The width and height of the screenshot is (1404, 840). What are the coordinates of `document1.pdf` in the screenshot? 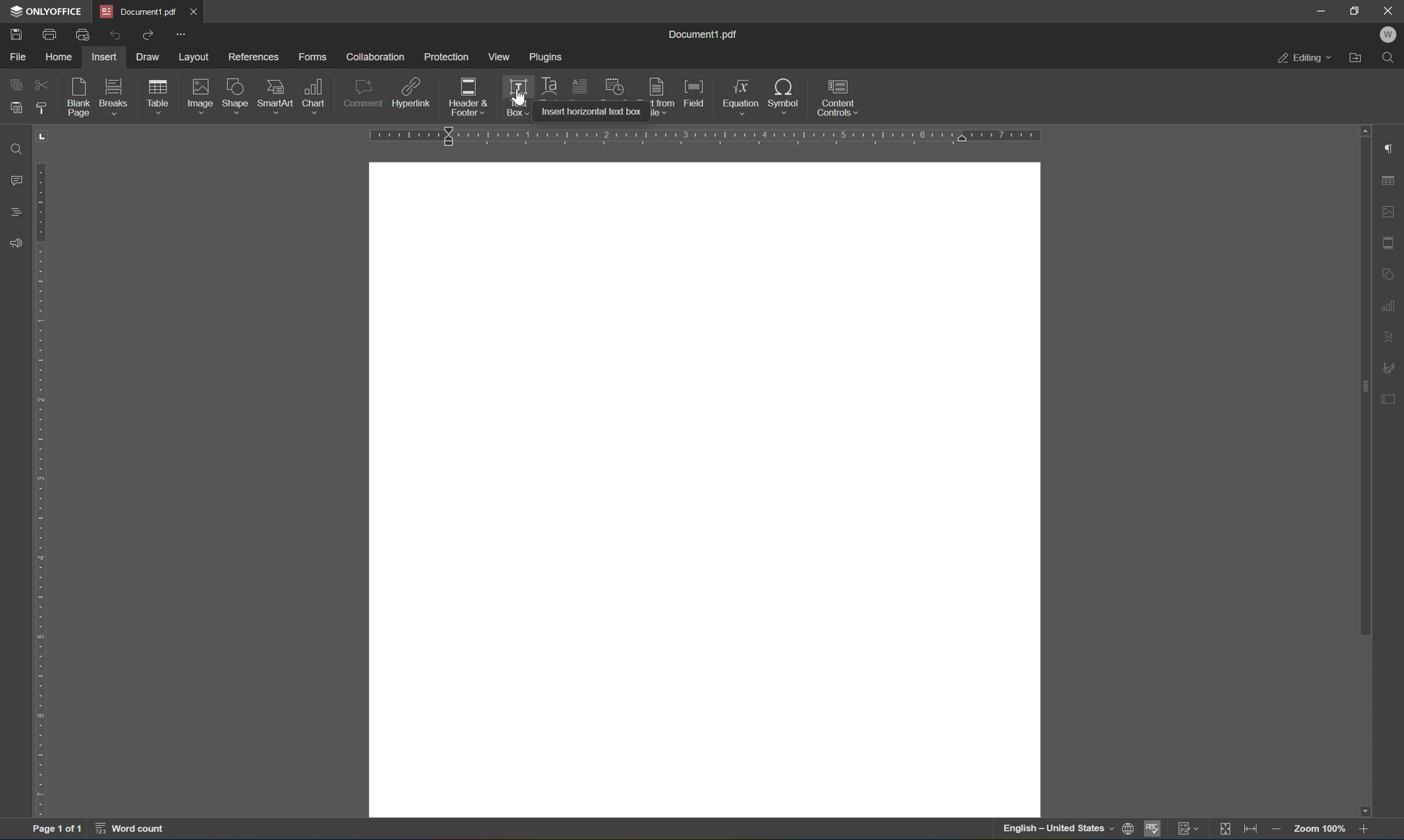 It's located at (702, 35).